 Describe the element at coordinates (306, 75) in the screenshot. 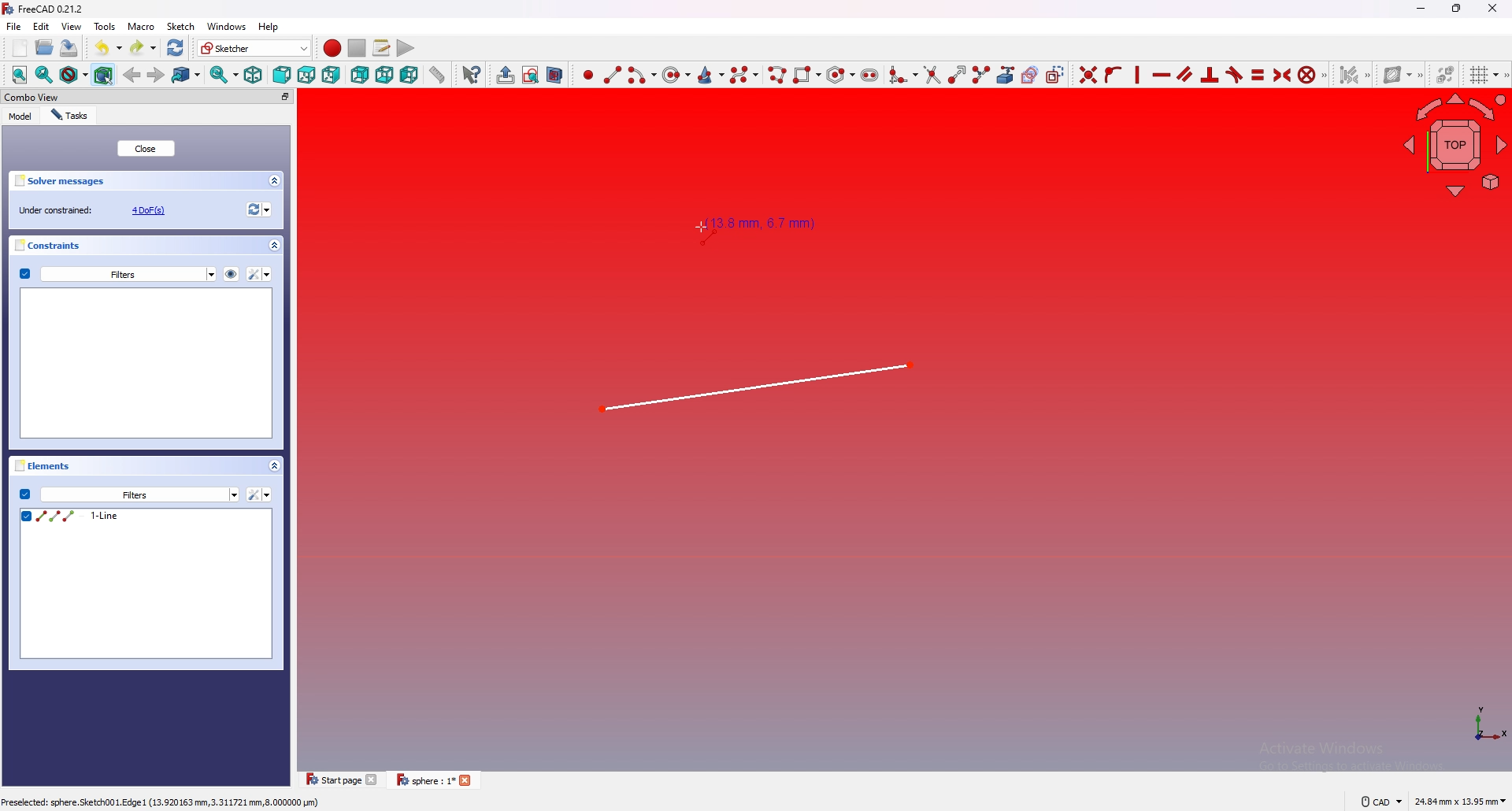

I see `Top` at that location.